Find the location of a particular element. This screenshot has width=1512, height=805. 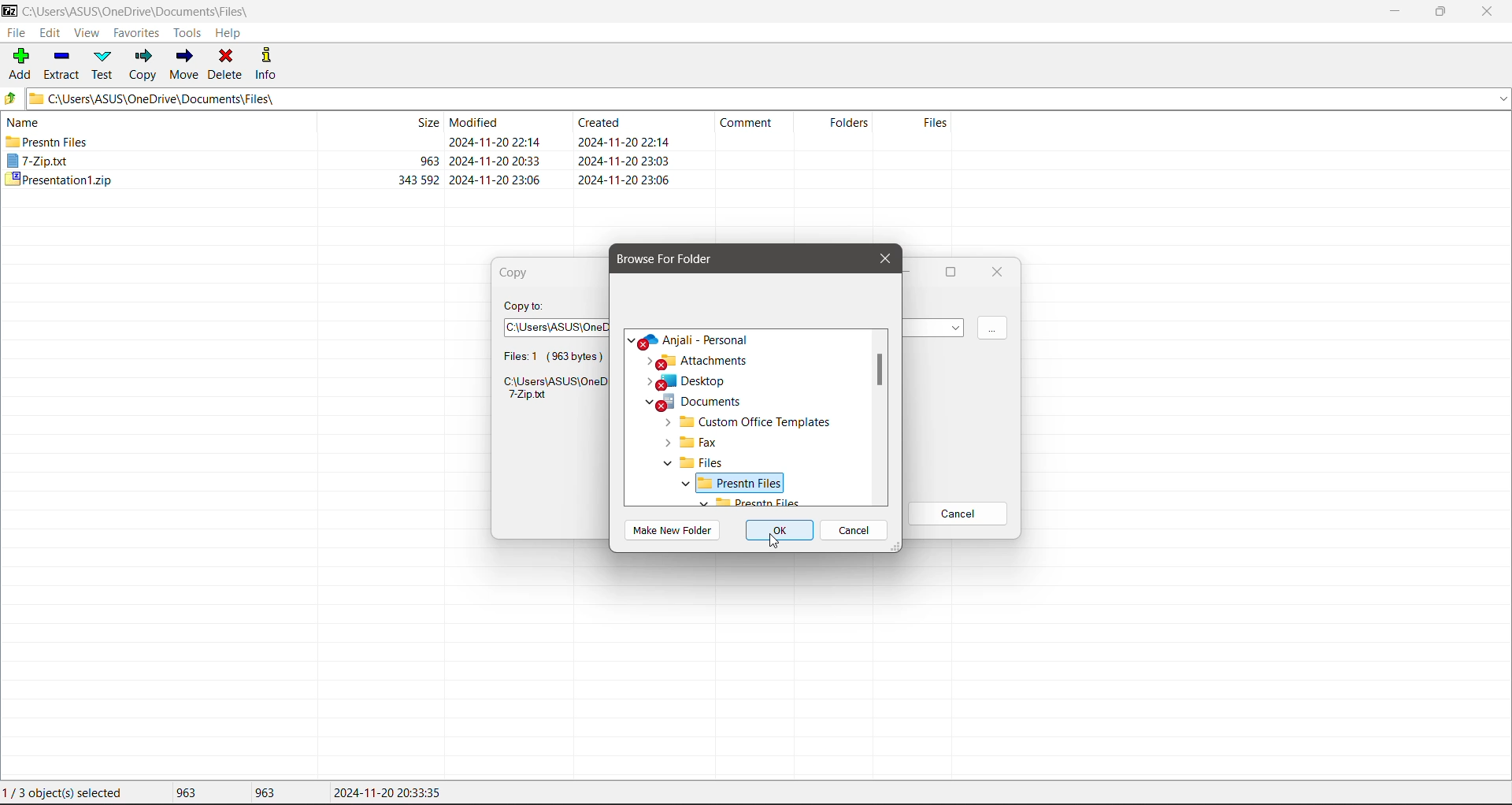

File Created Date is located at coordinates (624, 151).